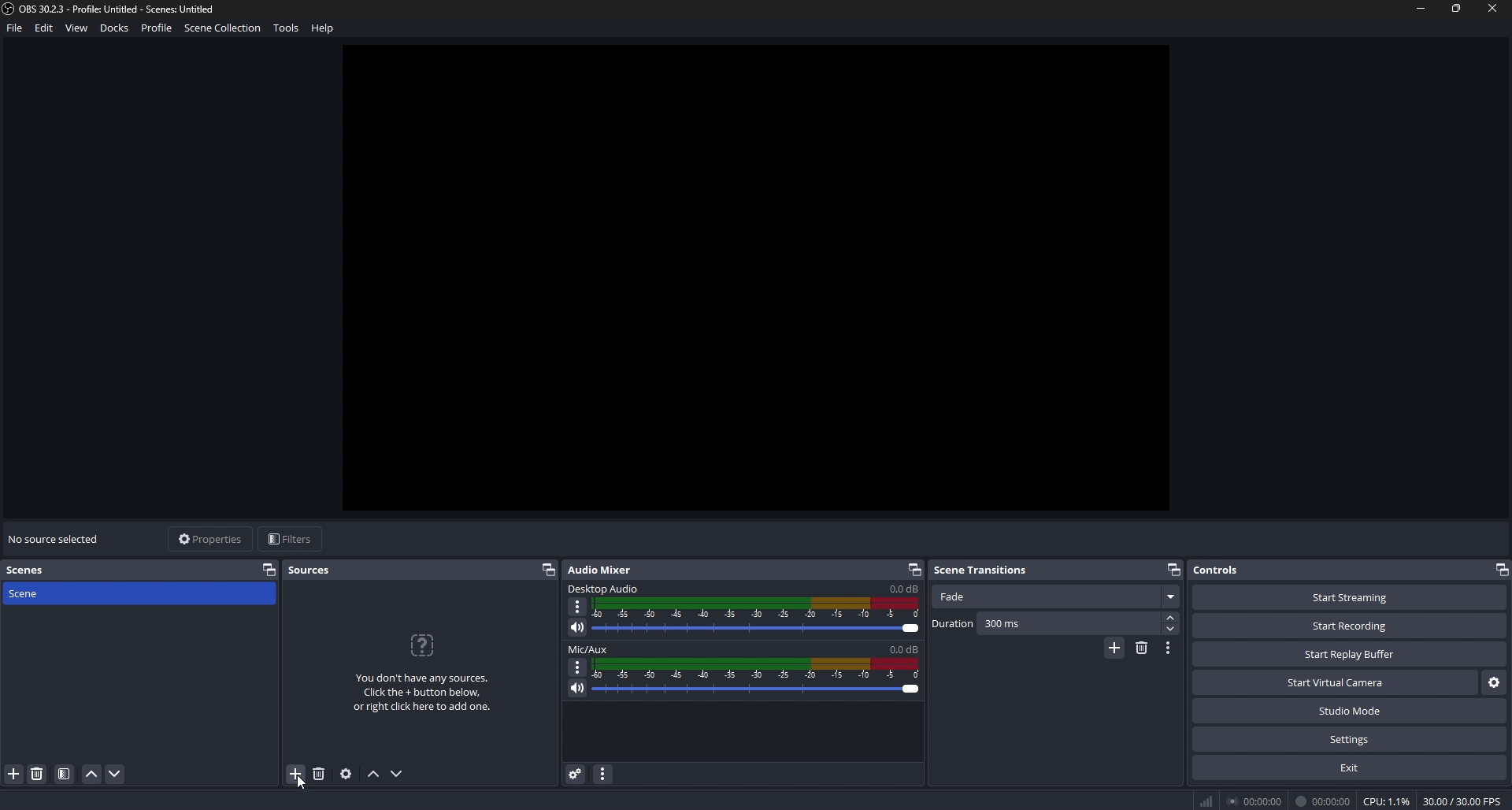 The width and height of the screenshot is (1512, 810). Describe the element at coordinates (346, 774) in the screenshot. I see `source properties` at that location.